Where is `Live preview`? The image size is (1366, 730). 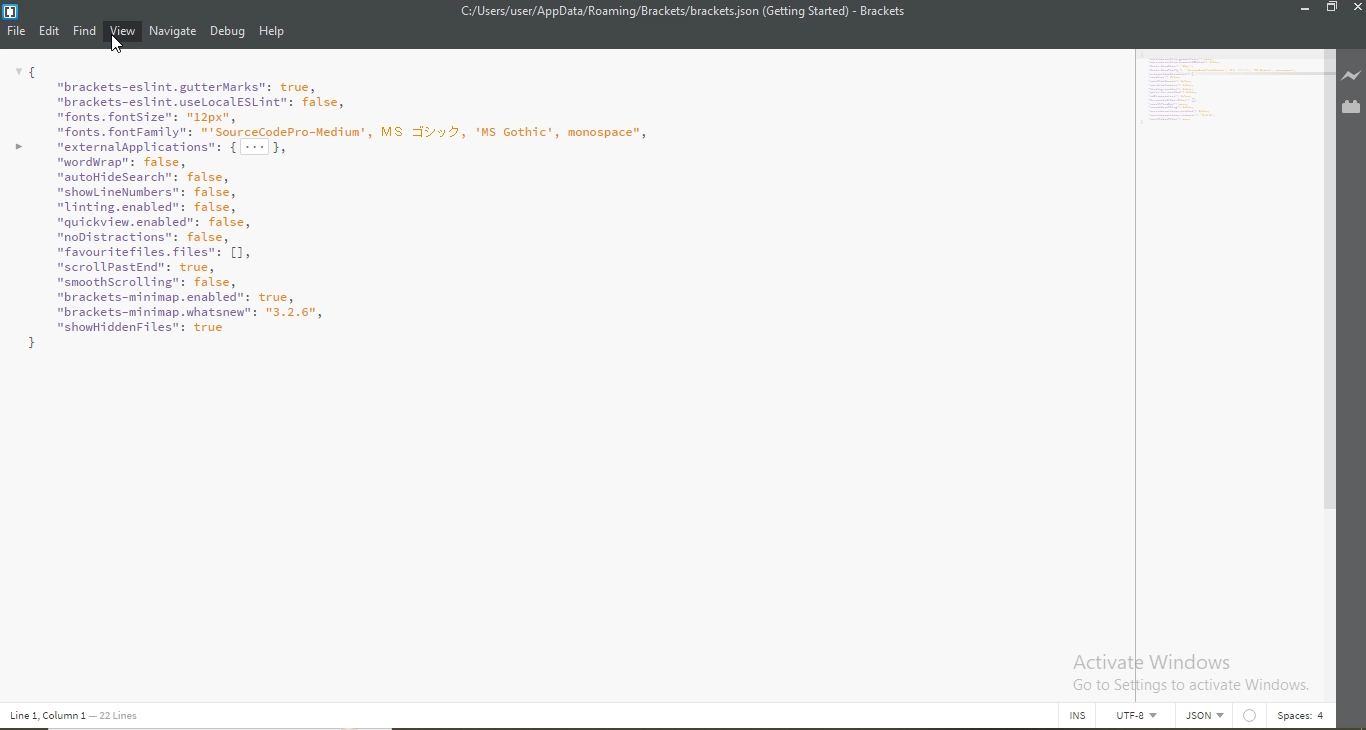
Live preview is located at coordinates (1351, 76).